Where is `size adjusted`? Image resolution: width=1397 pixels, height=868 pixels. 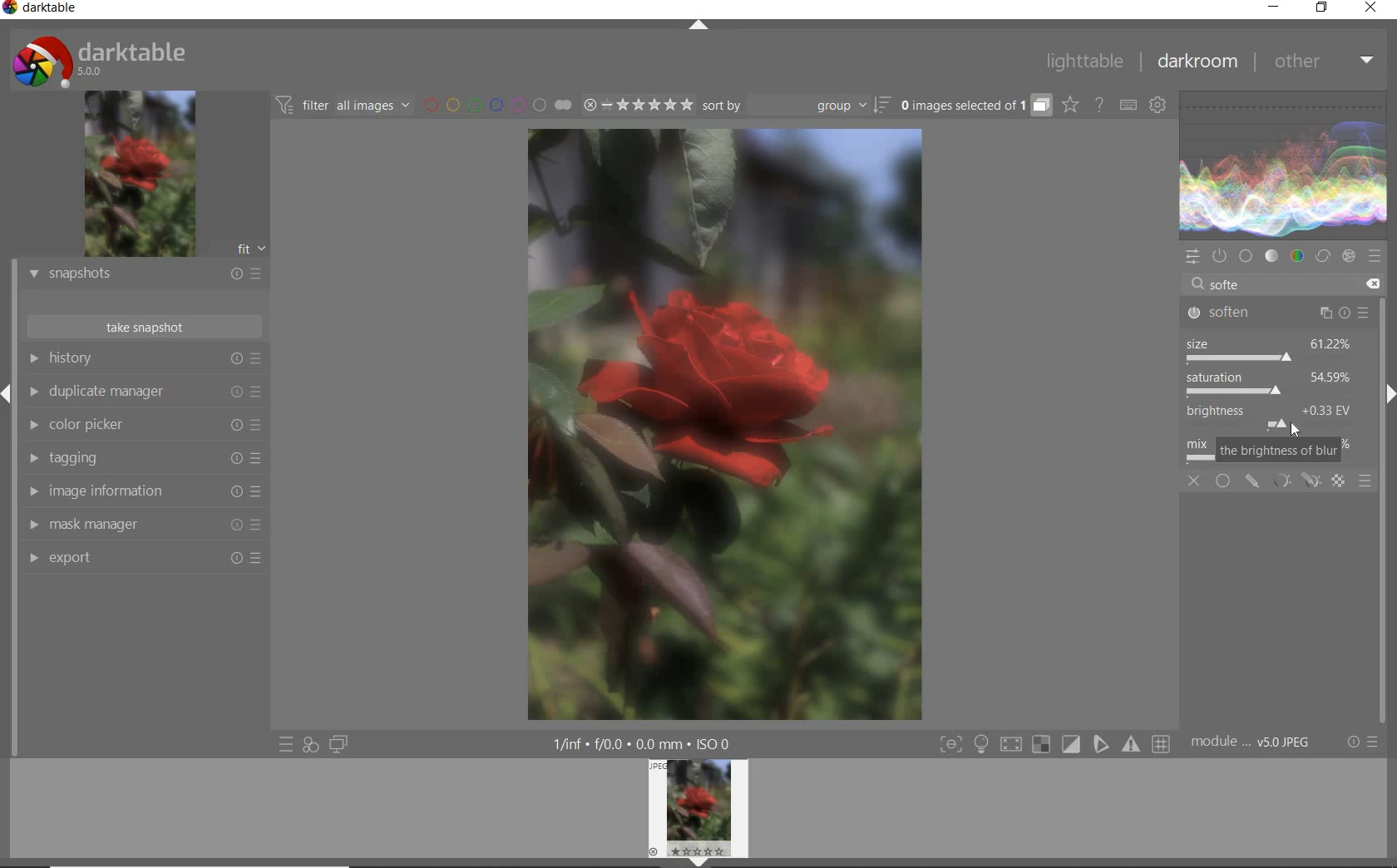 size adjusted is located at coordinates (1271, 350).